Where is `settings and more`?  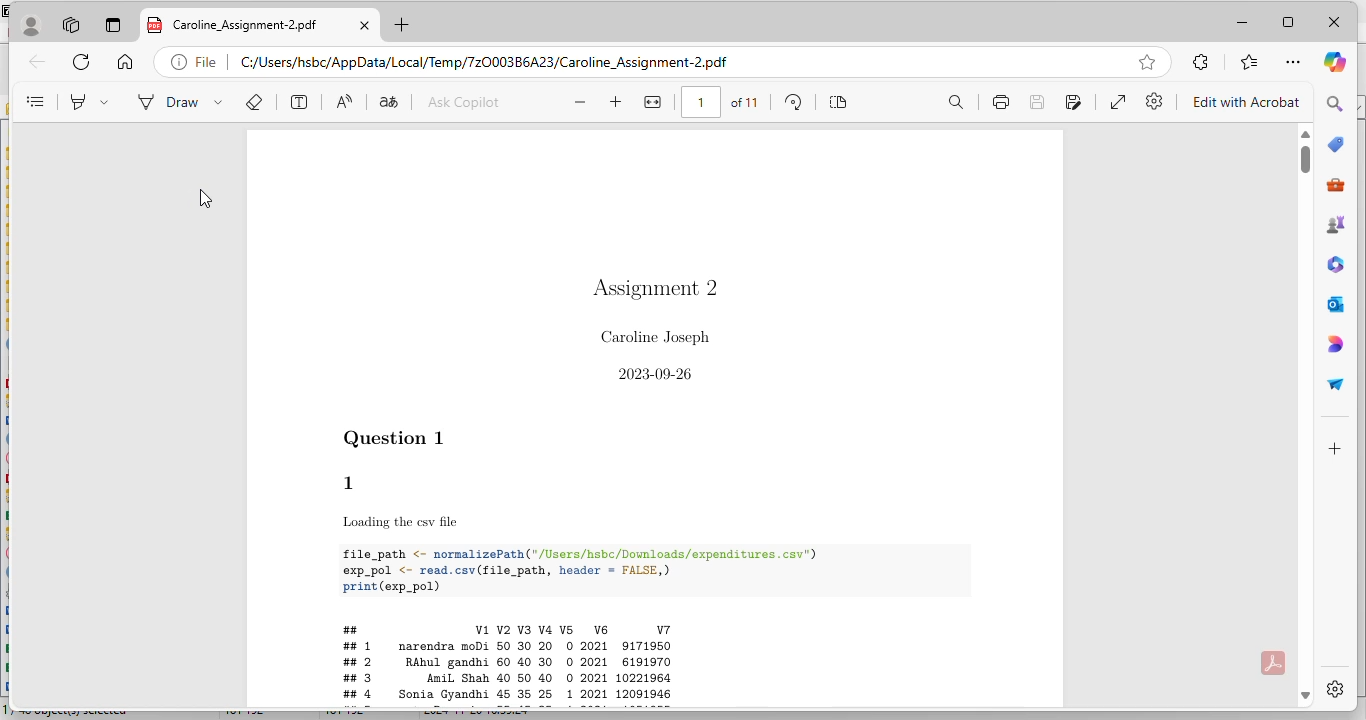 settings and more is located at coordinates (1292, 62).